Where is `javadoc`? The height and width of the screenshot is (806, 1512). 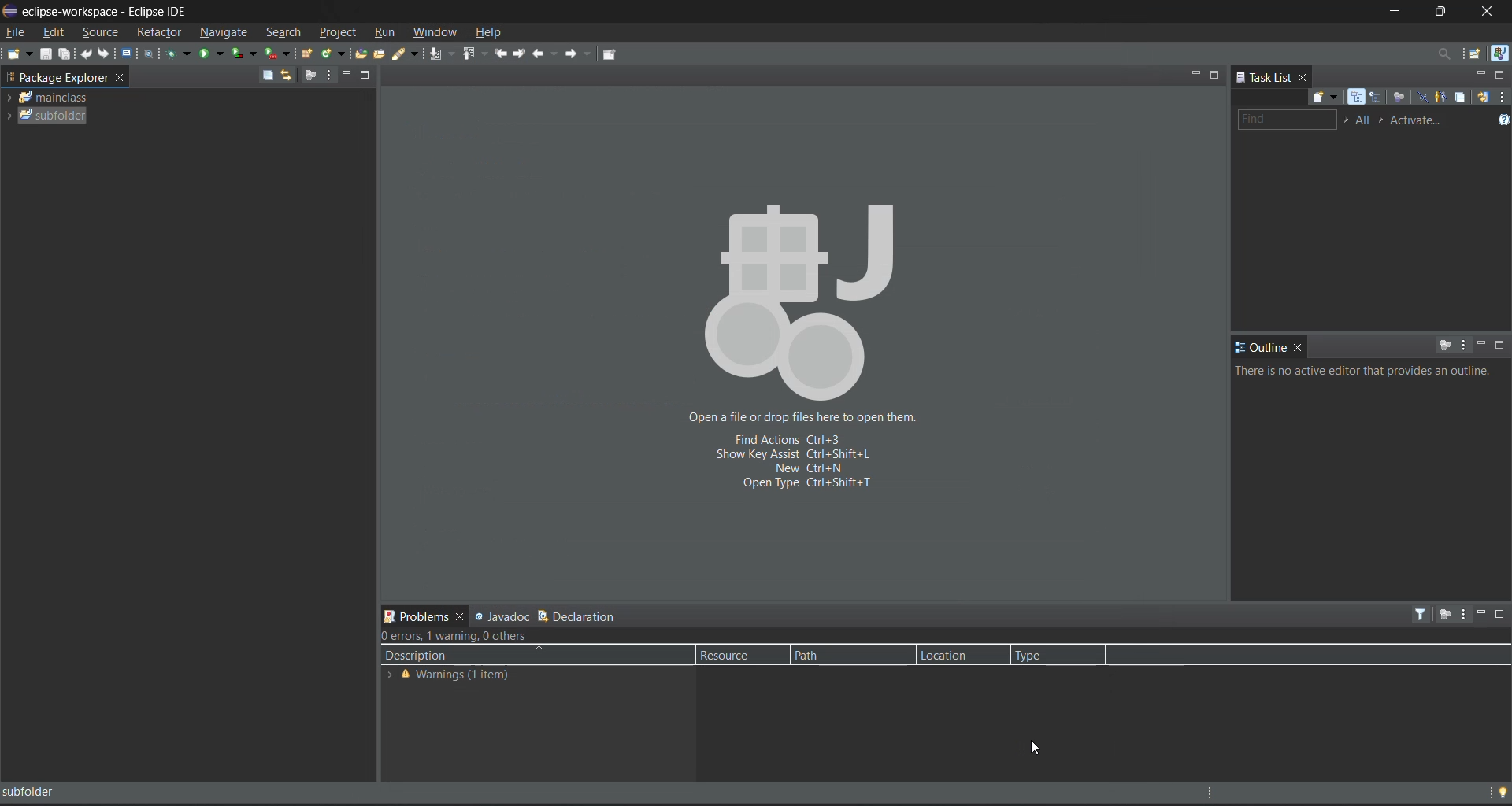 javadoc is located at coordinates (504, 616).